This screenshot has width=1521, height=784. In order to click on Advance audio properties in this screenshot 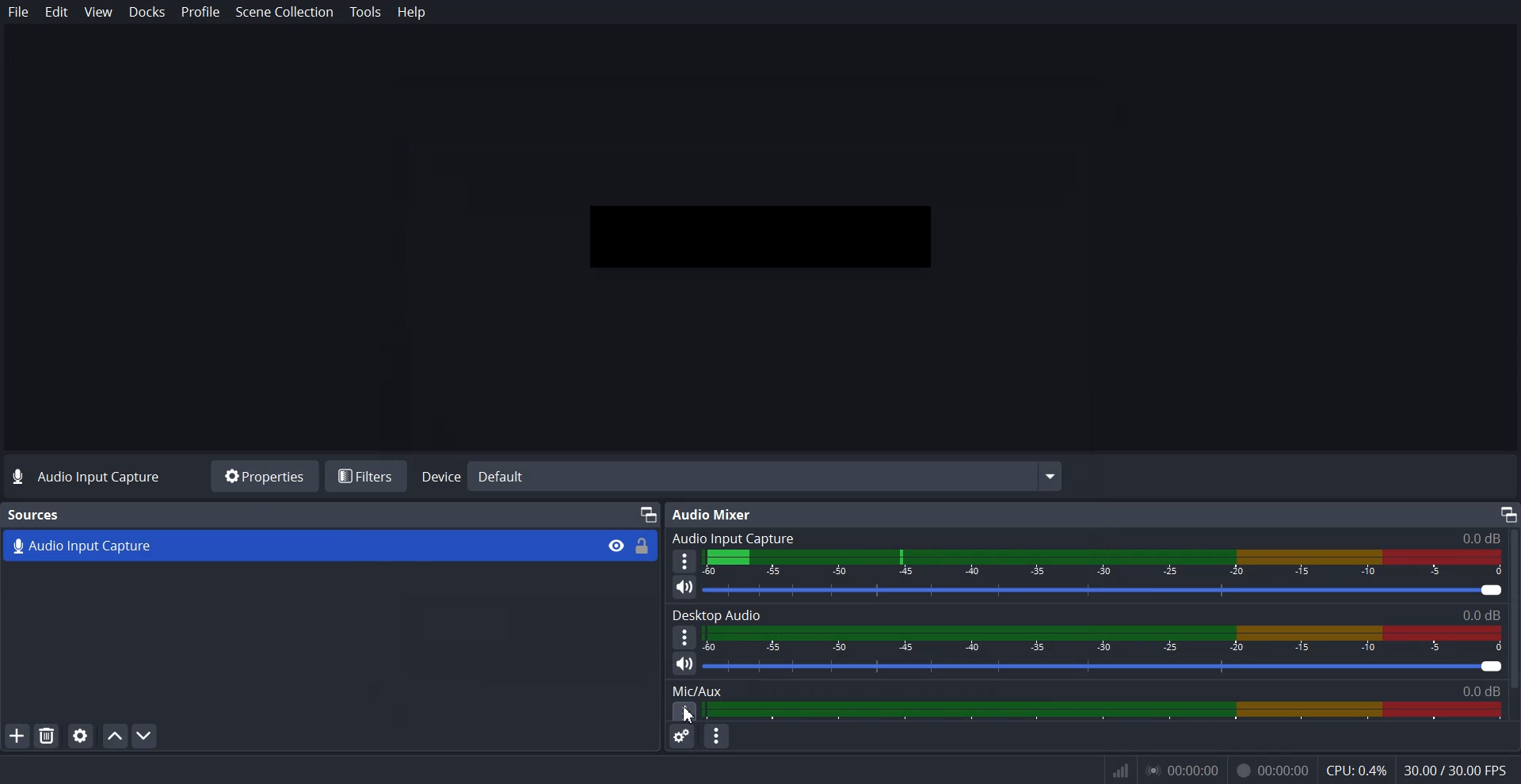, I will do `click(684, 739)`.